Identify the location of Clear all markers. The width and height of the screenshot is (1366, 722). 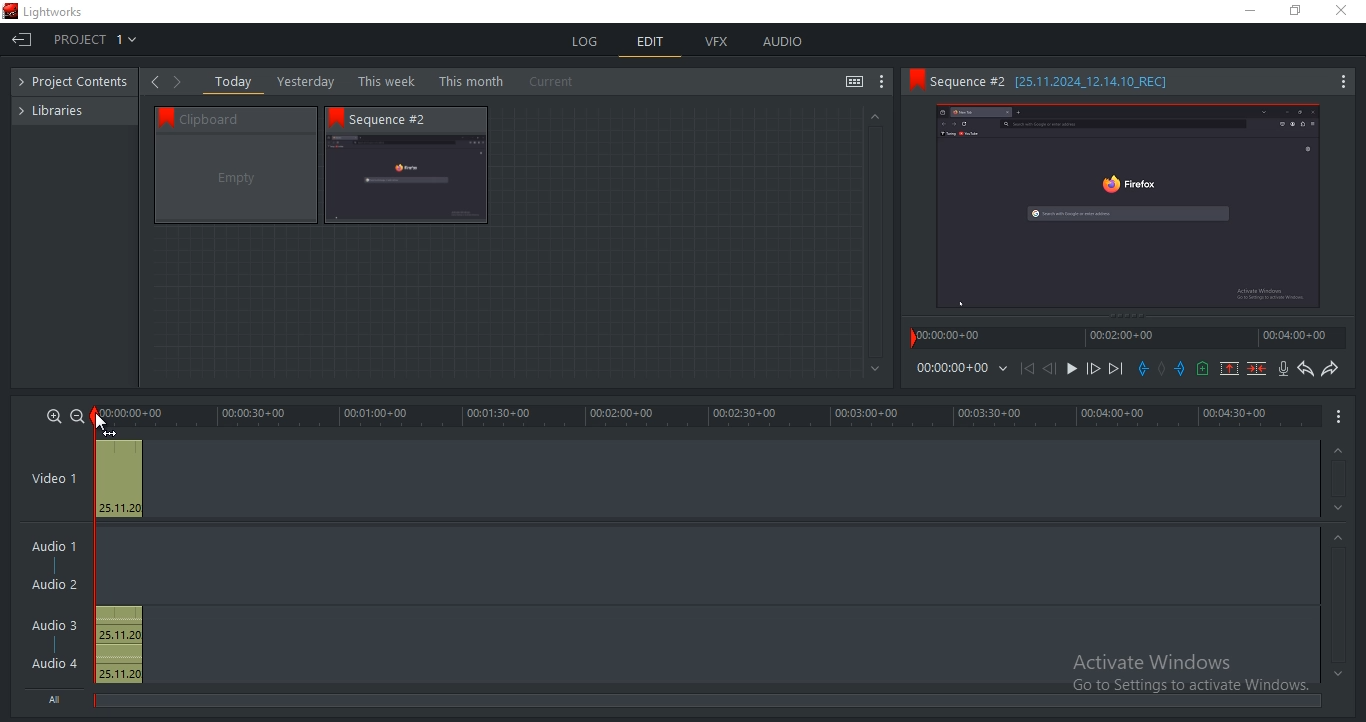
(1162, 371).